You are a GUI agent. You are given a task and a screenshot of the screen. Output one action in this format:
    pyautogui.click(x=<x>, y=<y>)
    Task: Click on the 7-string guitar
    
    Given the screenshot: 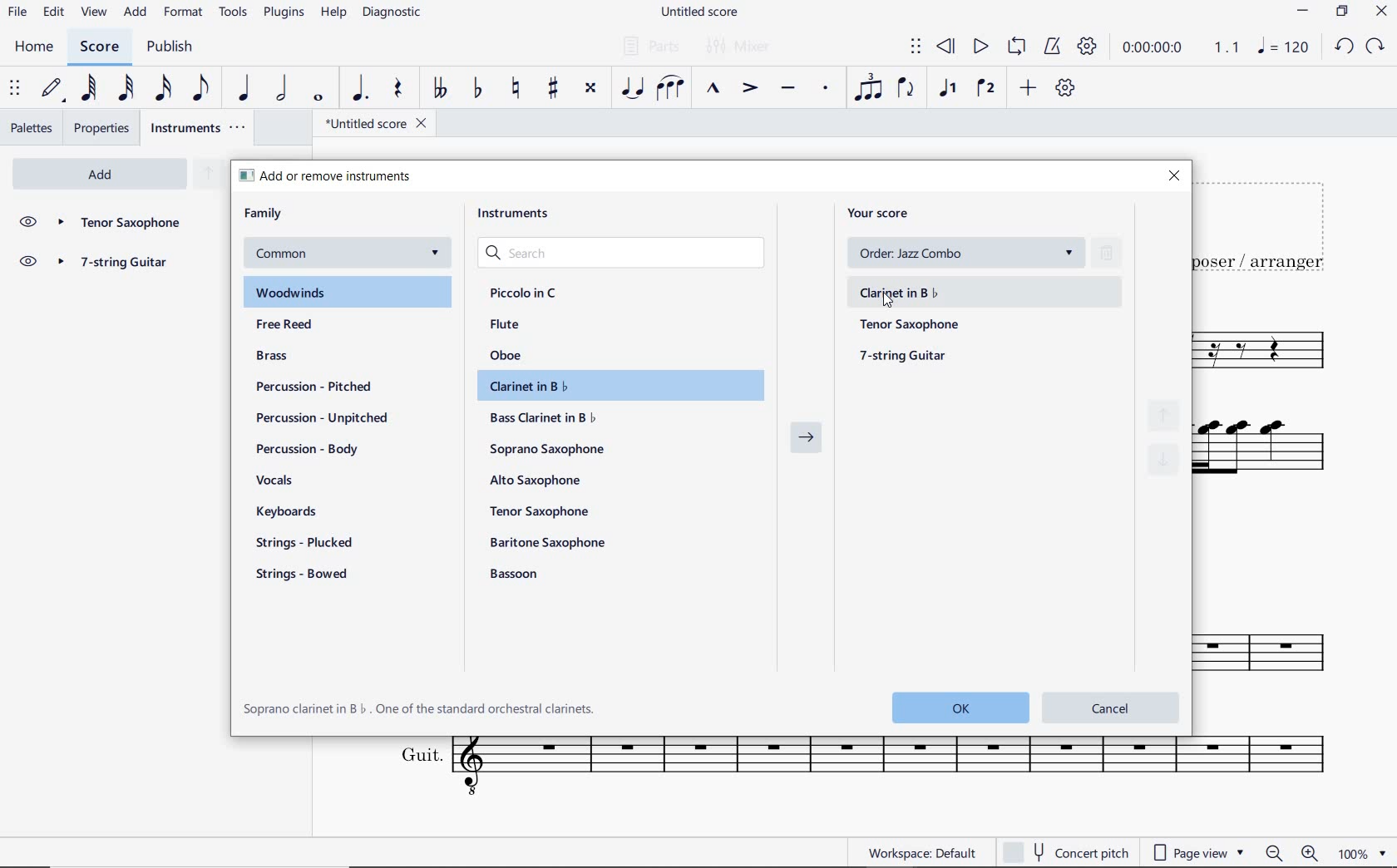 What is the action you would take?
    pyautogui.click(x=905, y=355)
    